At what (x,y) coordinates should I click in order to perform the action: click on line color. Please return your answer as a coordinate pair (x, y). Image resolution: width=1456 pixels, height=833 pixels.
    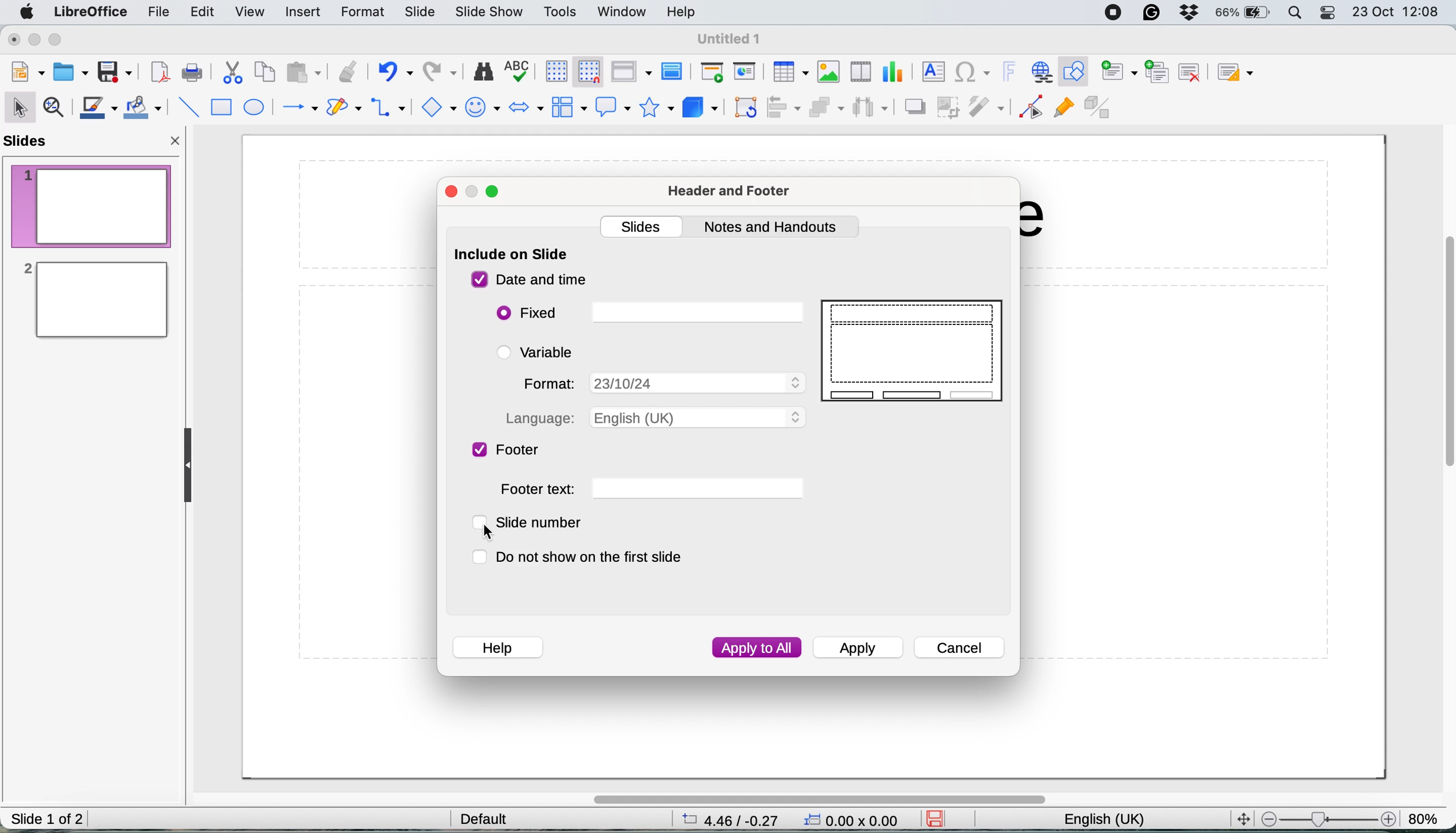
    Looking at the image, I should click on (98, 108).